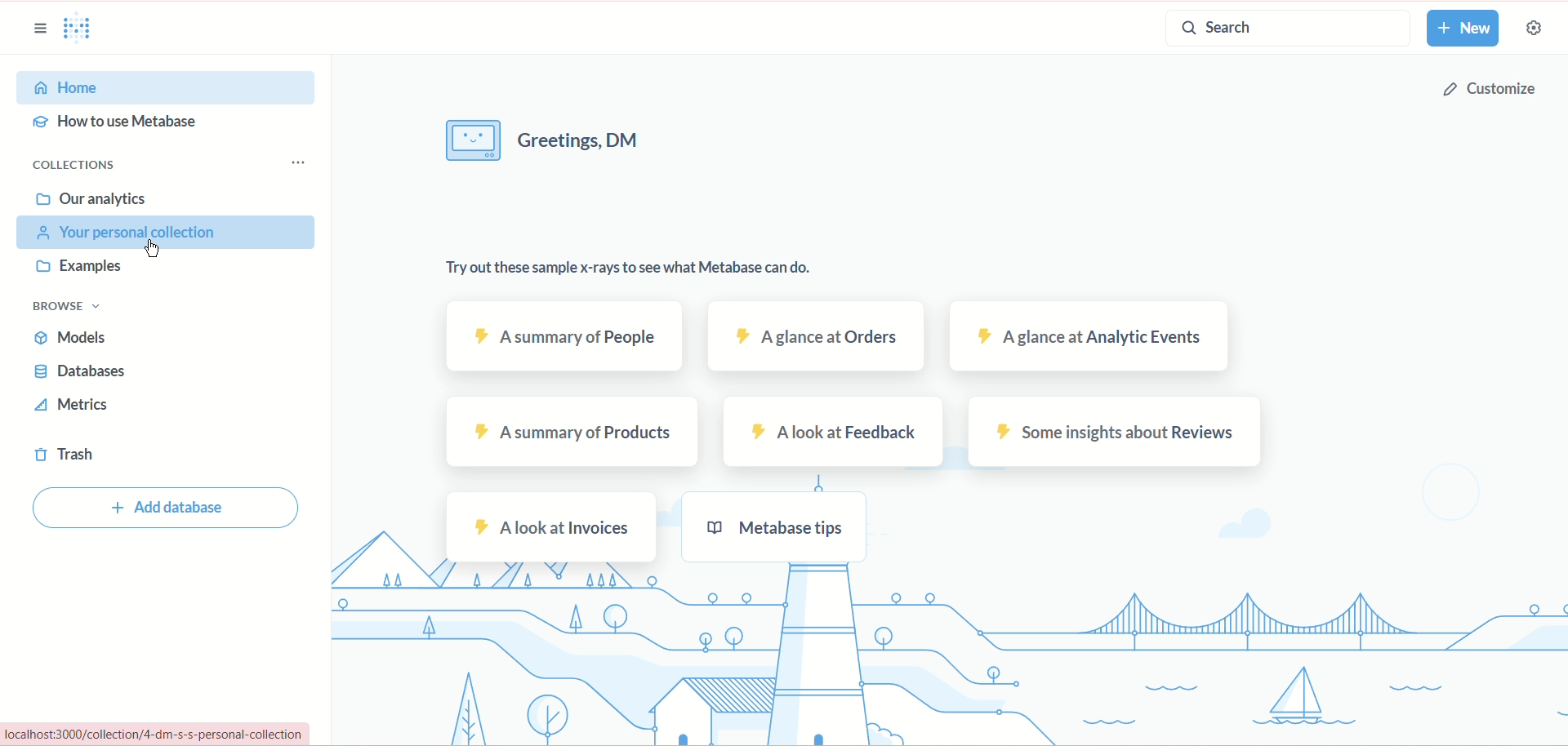 The width and height of the screenshot is (1568, 746). I want to click on metrics, so click(81, 405).